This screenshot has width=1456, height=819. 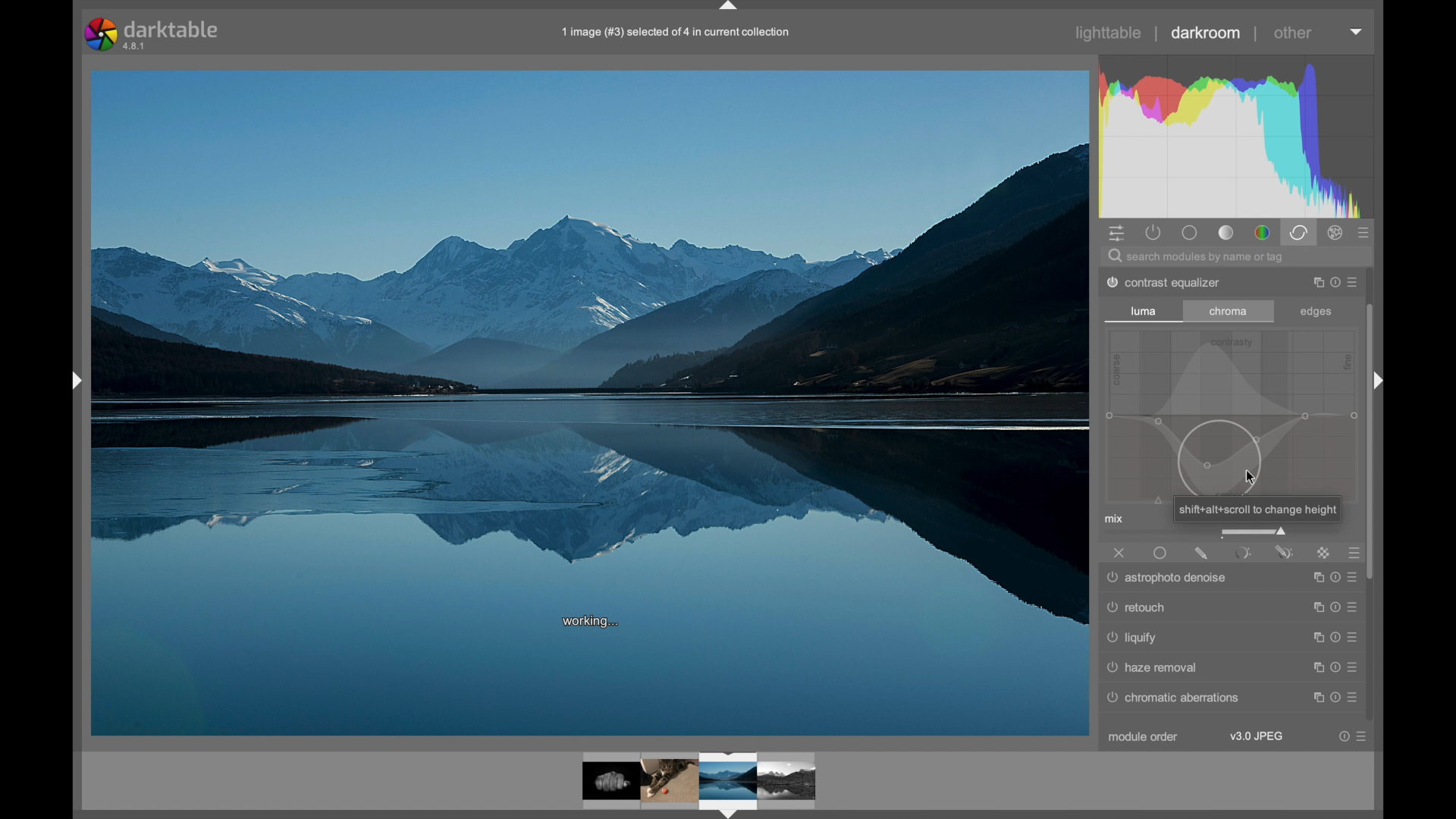 I want to click on histogram, so click(x=1238, y=135).